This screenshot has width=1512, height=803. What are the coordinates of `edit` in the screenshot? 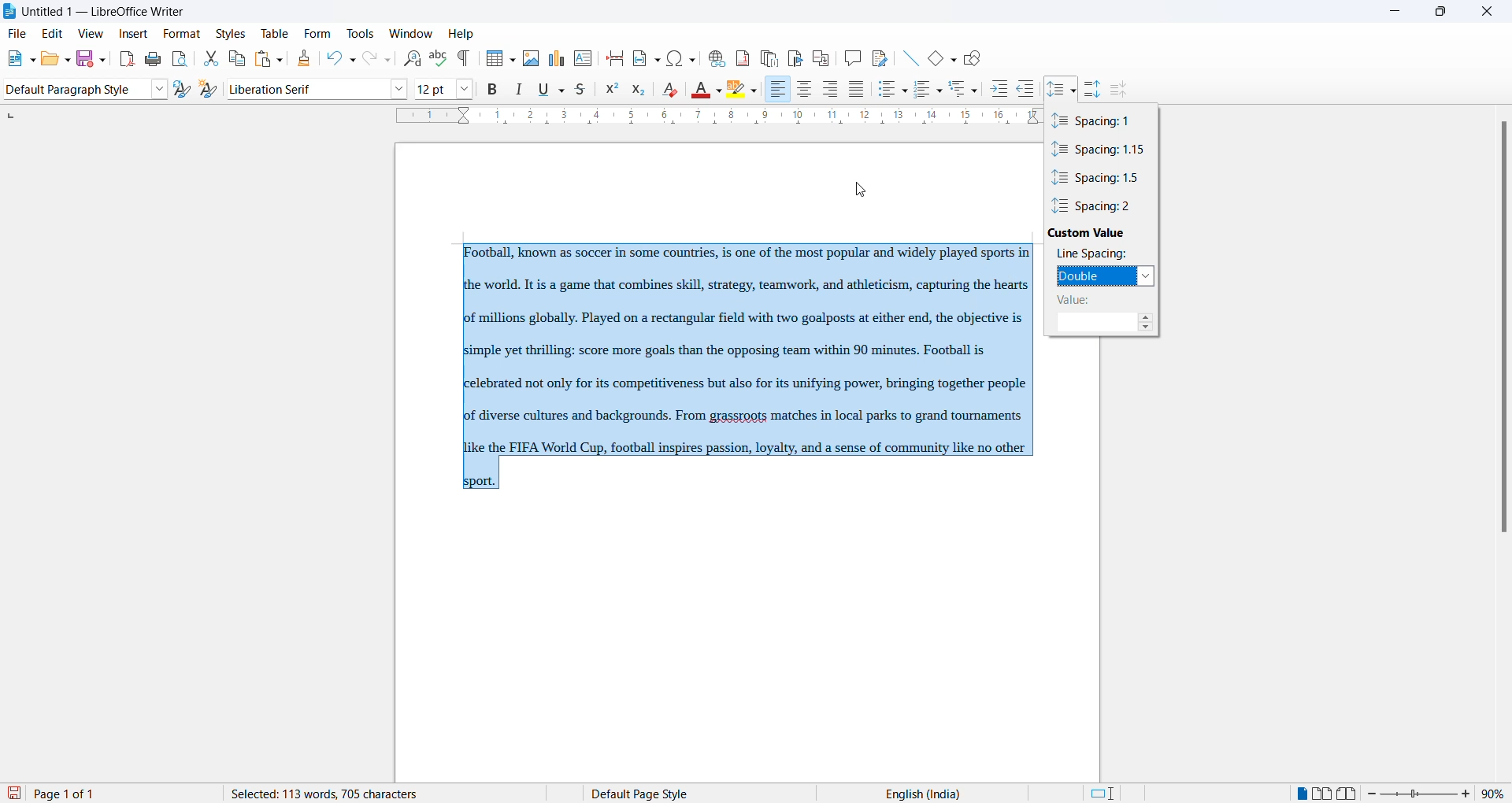 It's located at (54, 34).